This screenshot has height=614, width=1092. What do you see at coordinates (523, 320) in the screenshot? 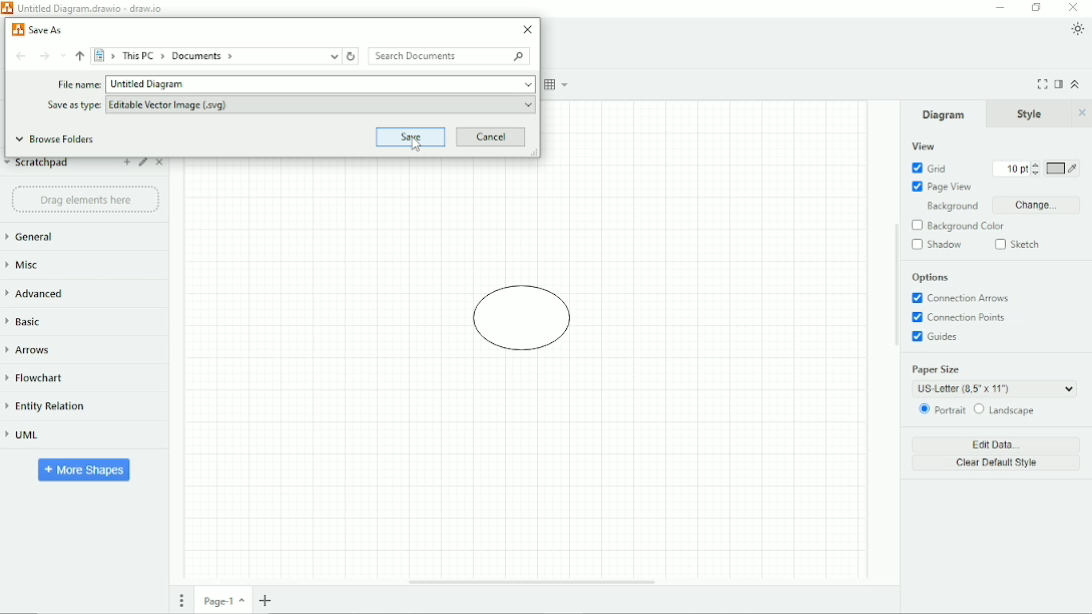
I see `Diagram of circle` at bounding box center [523, 320].